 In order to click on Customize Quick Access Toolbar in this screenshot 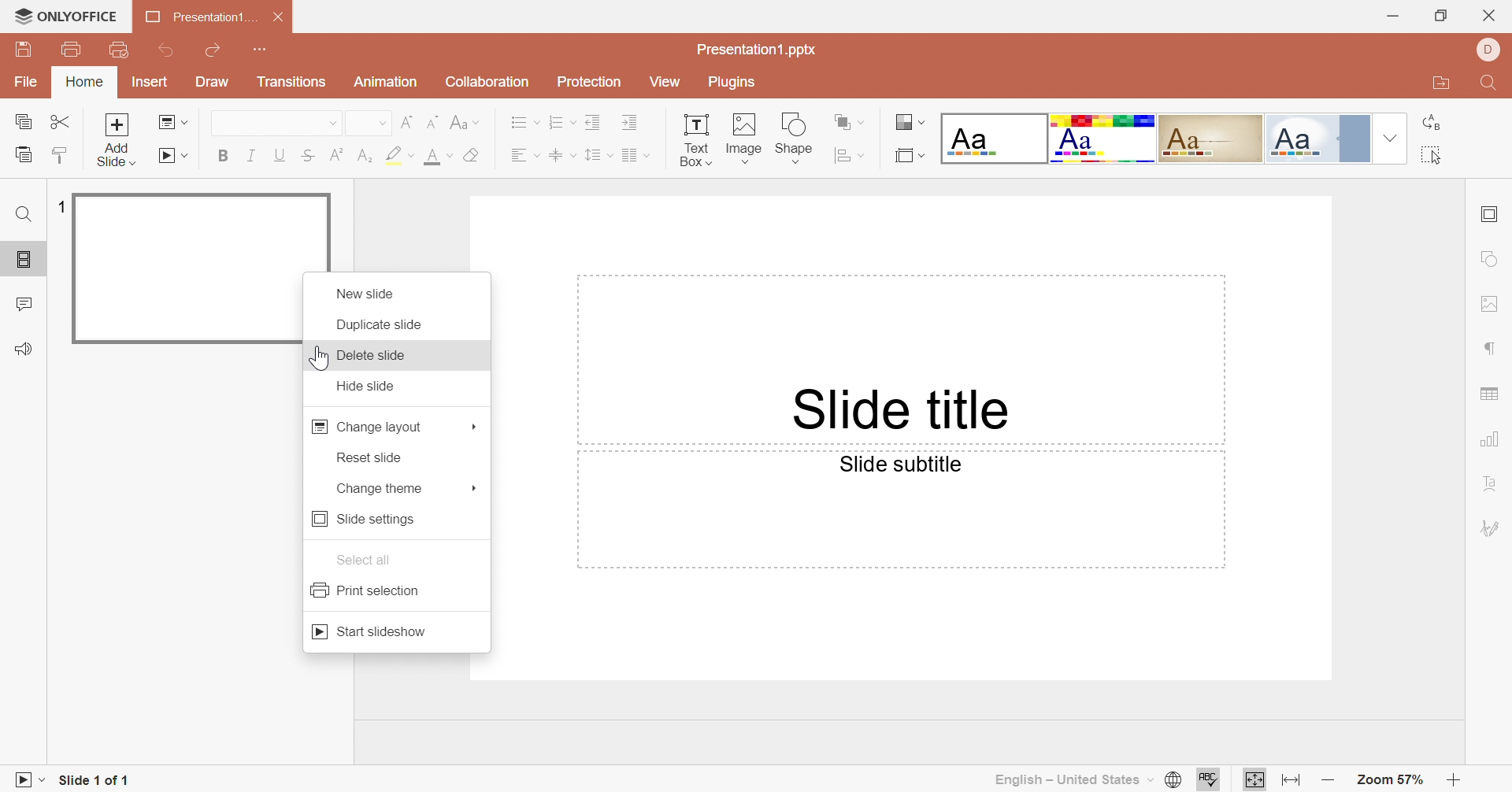, I will do `click(264, 50)`.